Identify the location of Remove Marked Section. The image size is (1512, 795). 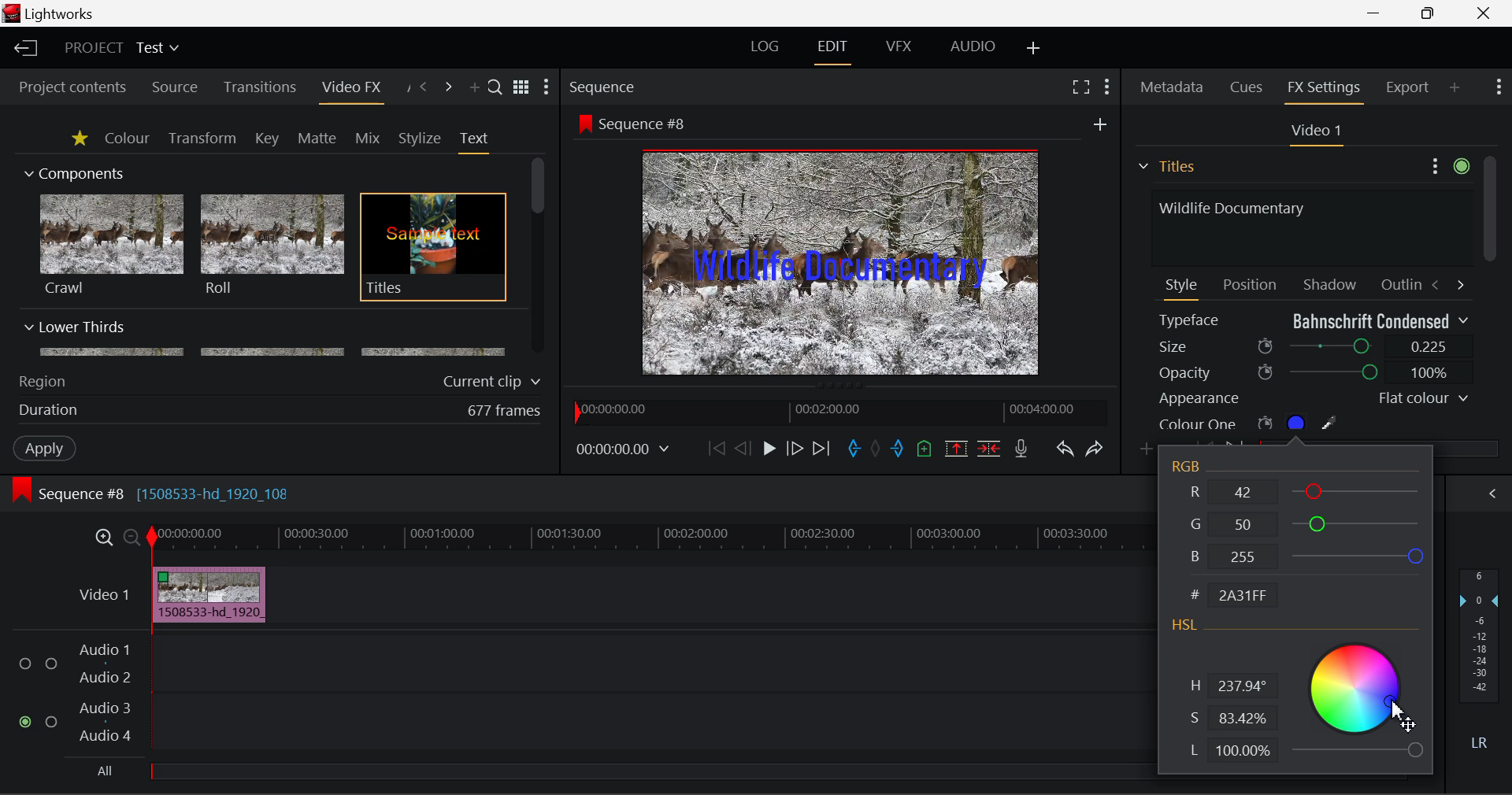
(956, 449).